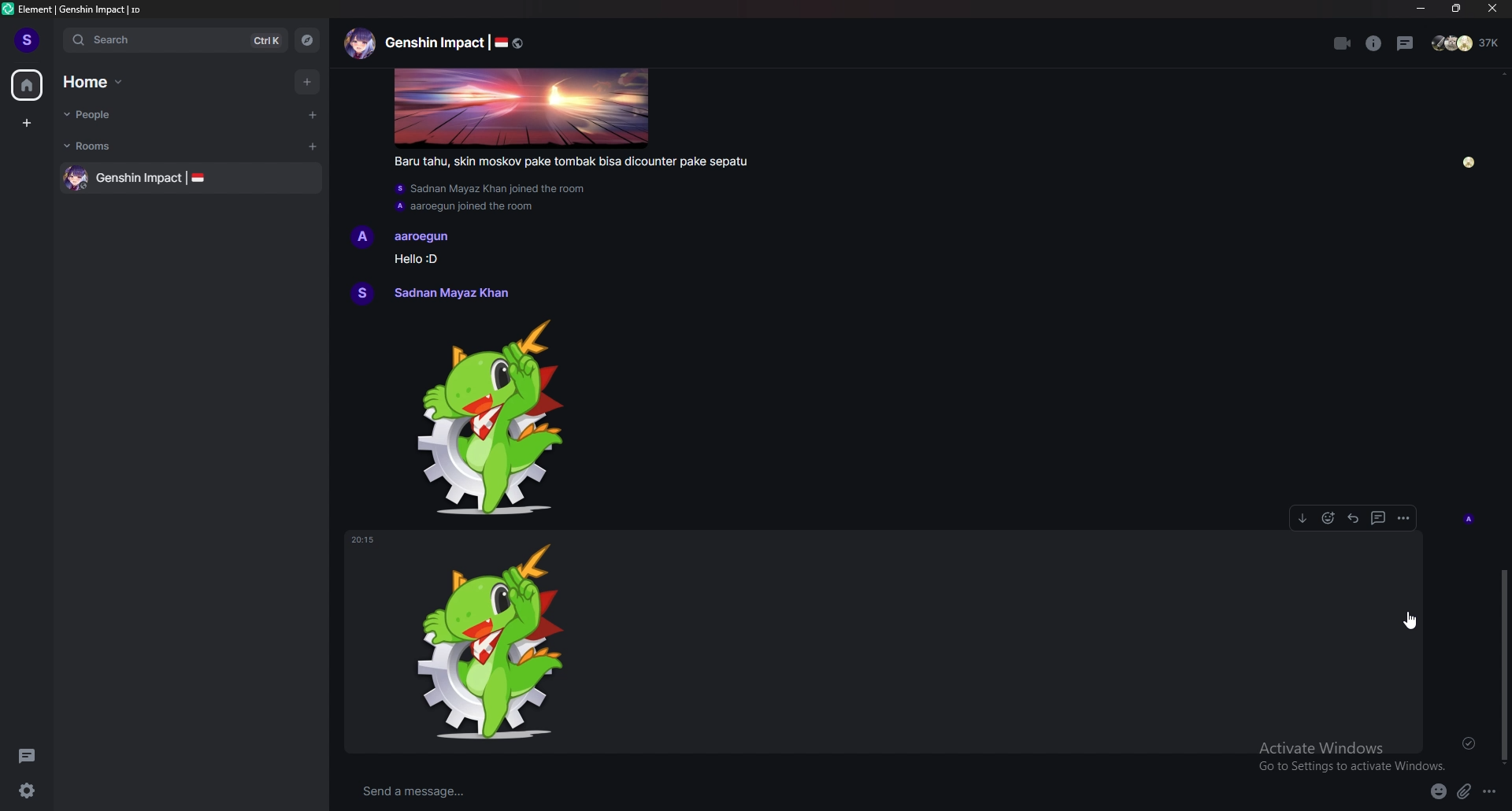  Describe the element at coordinates (359, 43) in the screenshot. I see `Profile picture of group` at that location.